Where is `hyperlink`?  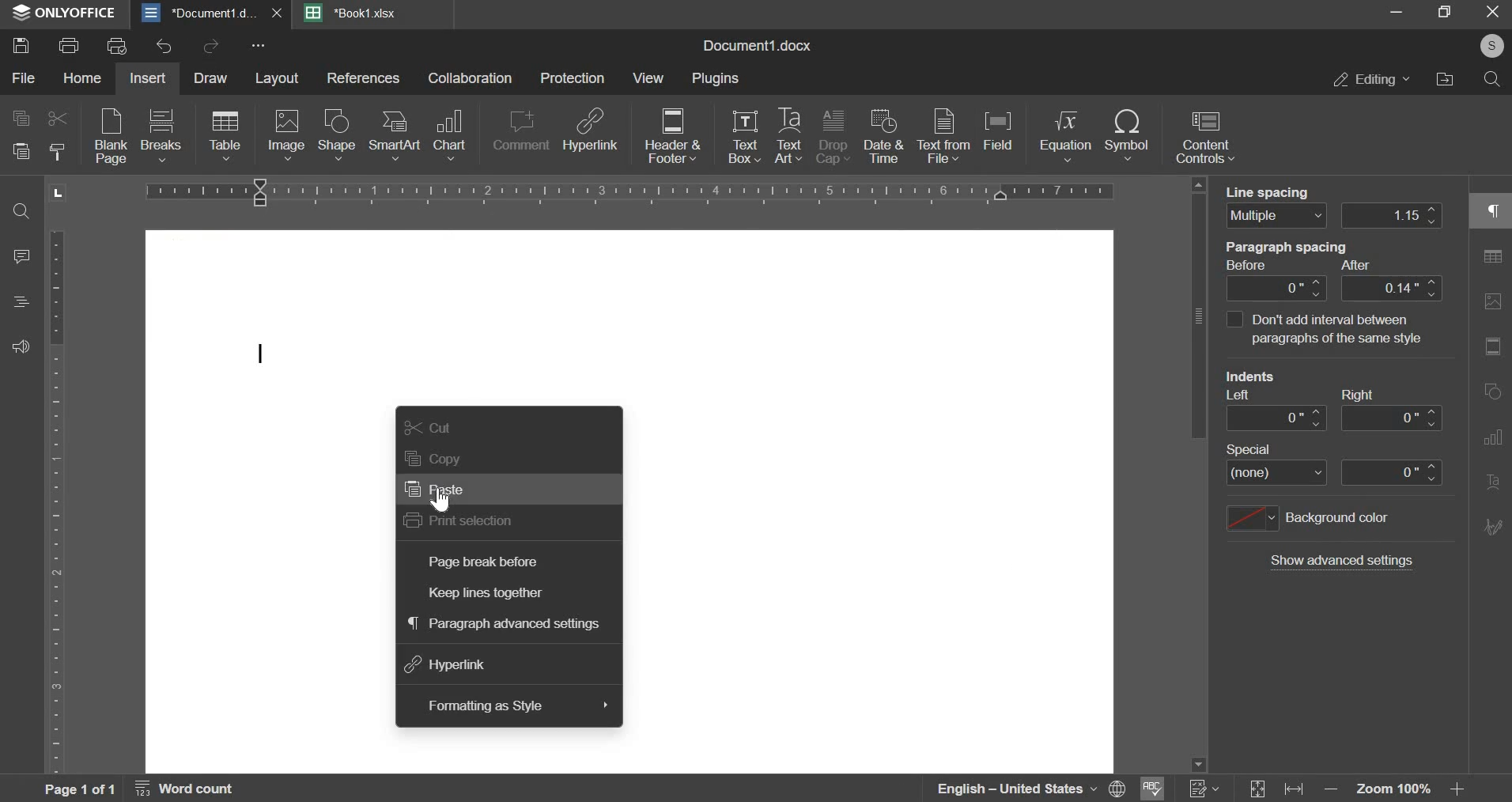
hyperlink is located at coordinates (592, 134).